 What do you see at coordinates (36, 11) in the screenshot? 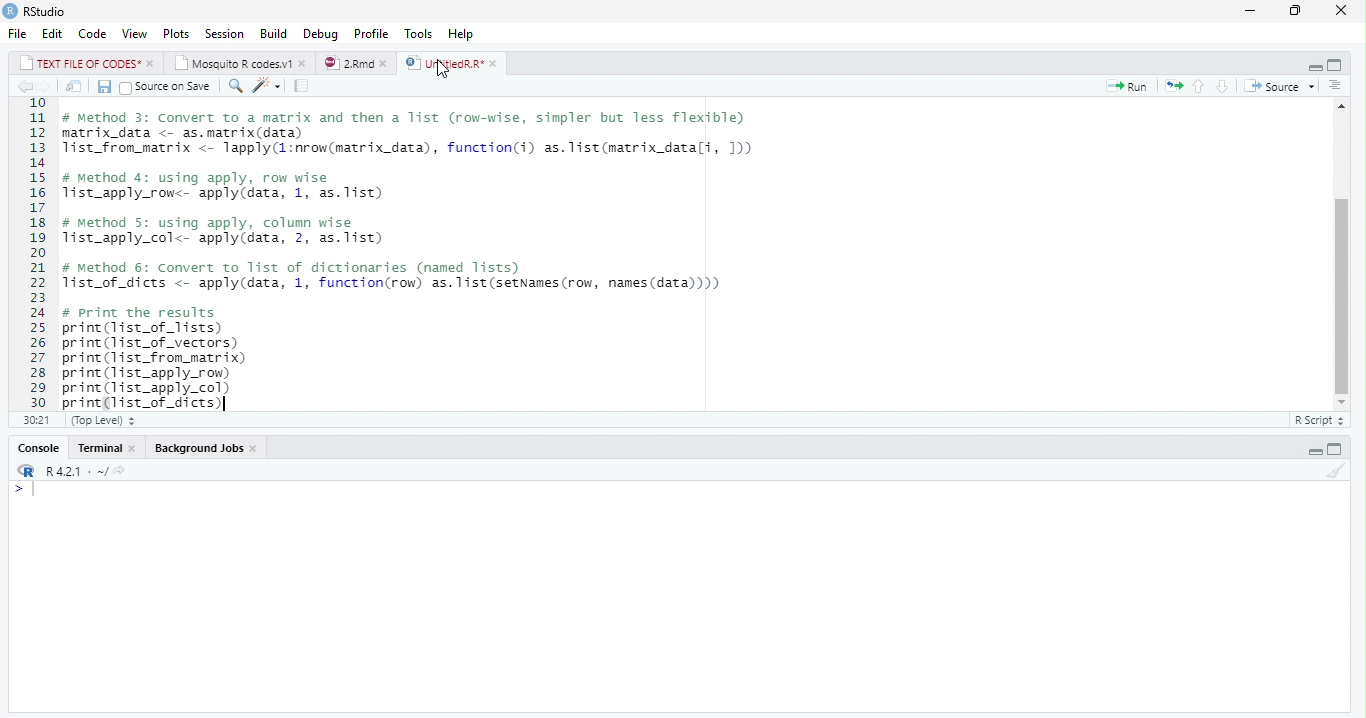
I see `RStudio` at bounding box center [36, 11].